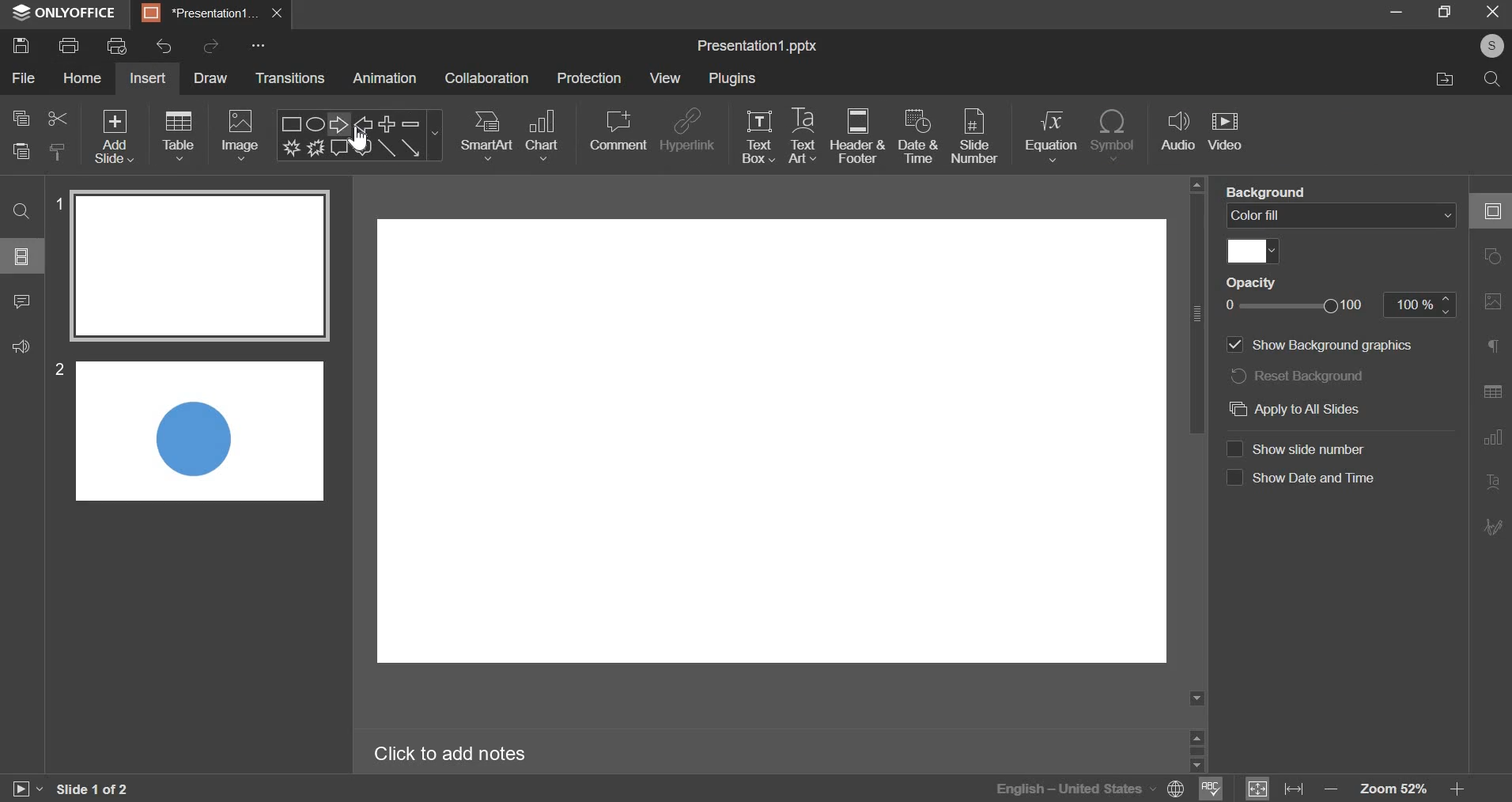  I want to click on 1, so click(56, 204).